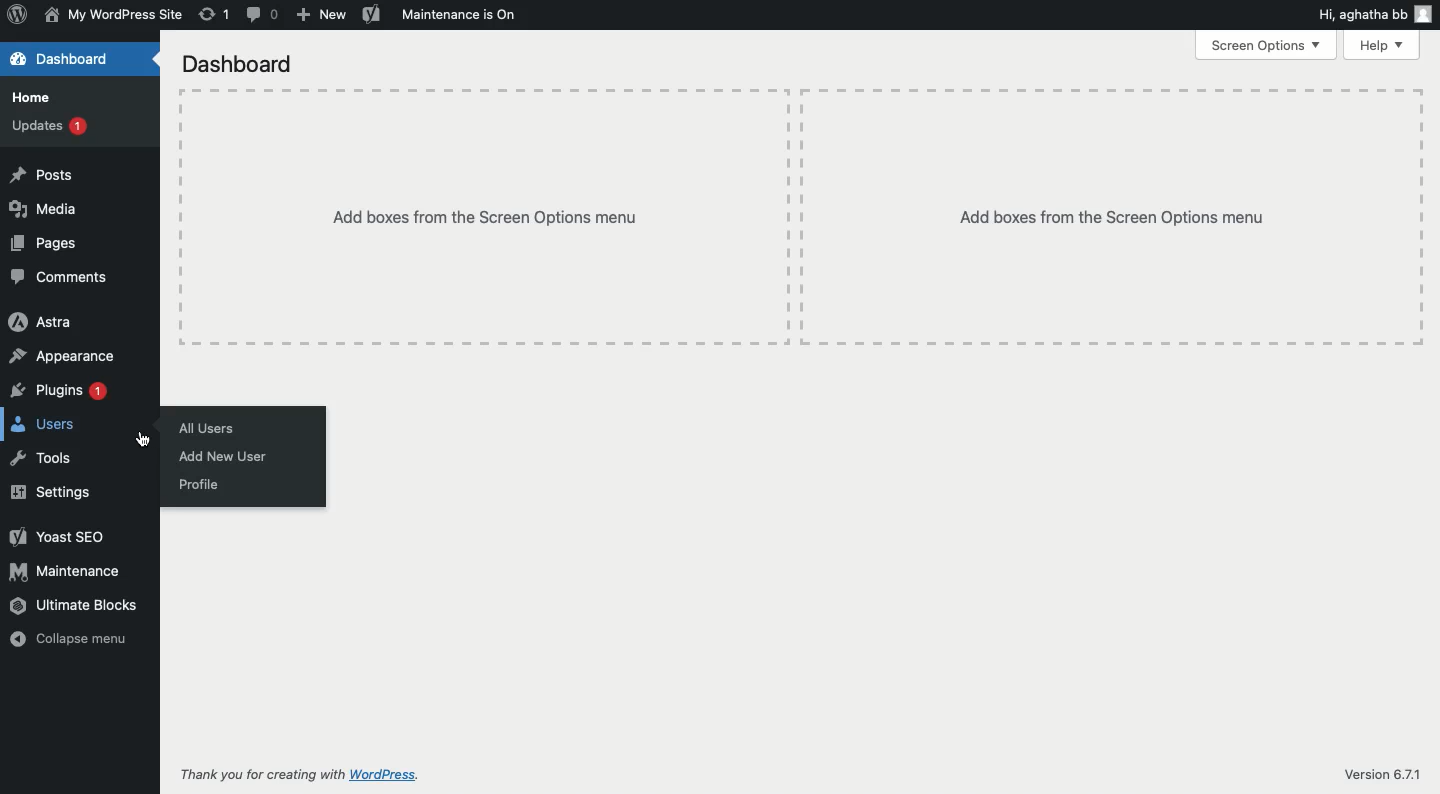 The height and width of the screenshot is (794, 1440). Describe the element at coordinates (322, 15) in the screenshot. I see `New` at that location.